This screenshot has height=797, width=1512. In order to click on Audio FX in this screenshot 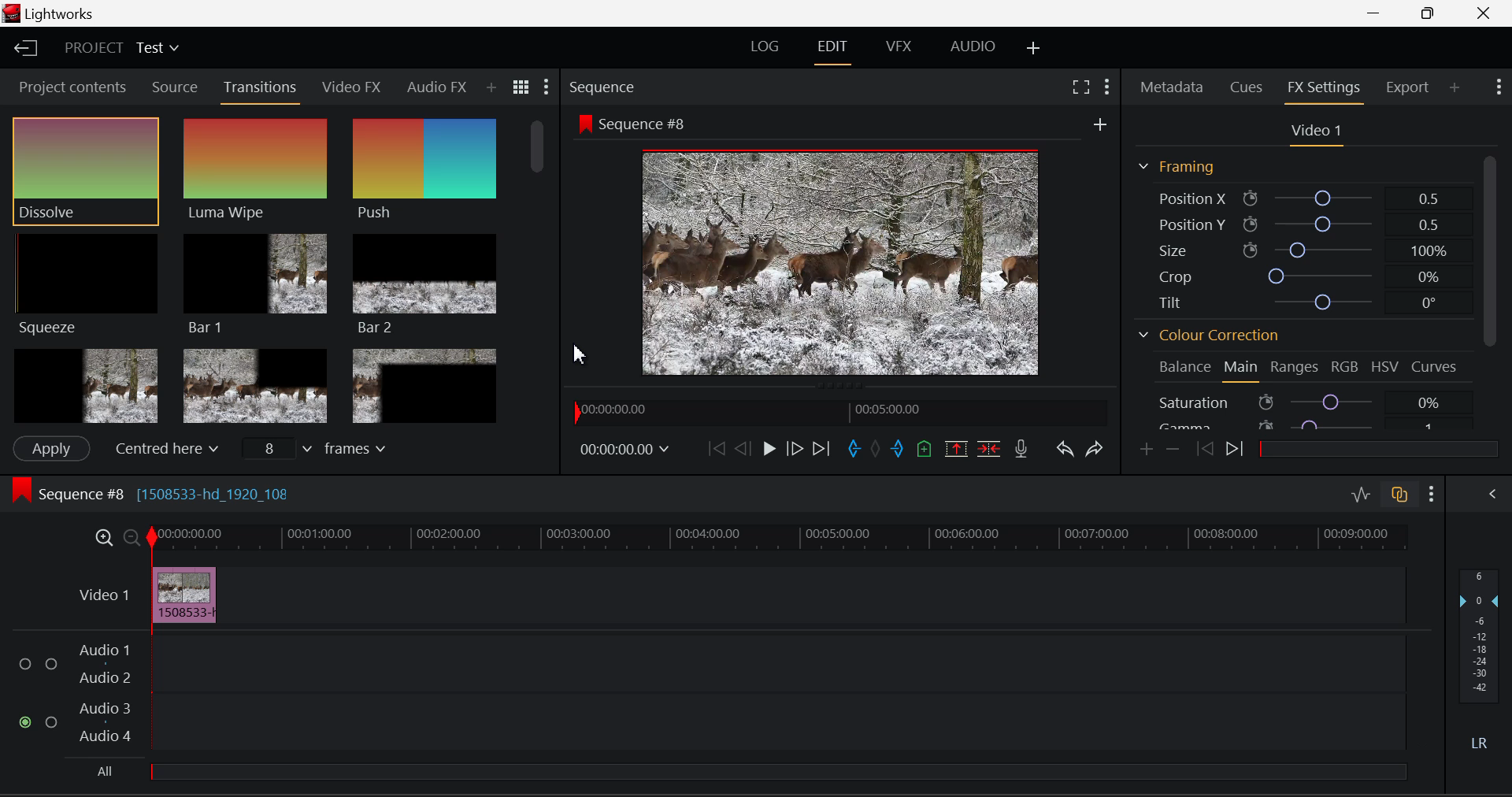, I will do `click(435, 87)`.